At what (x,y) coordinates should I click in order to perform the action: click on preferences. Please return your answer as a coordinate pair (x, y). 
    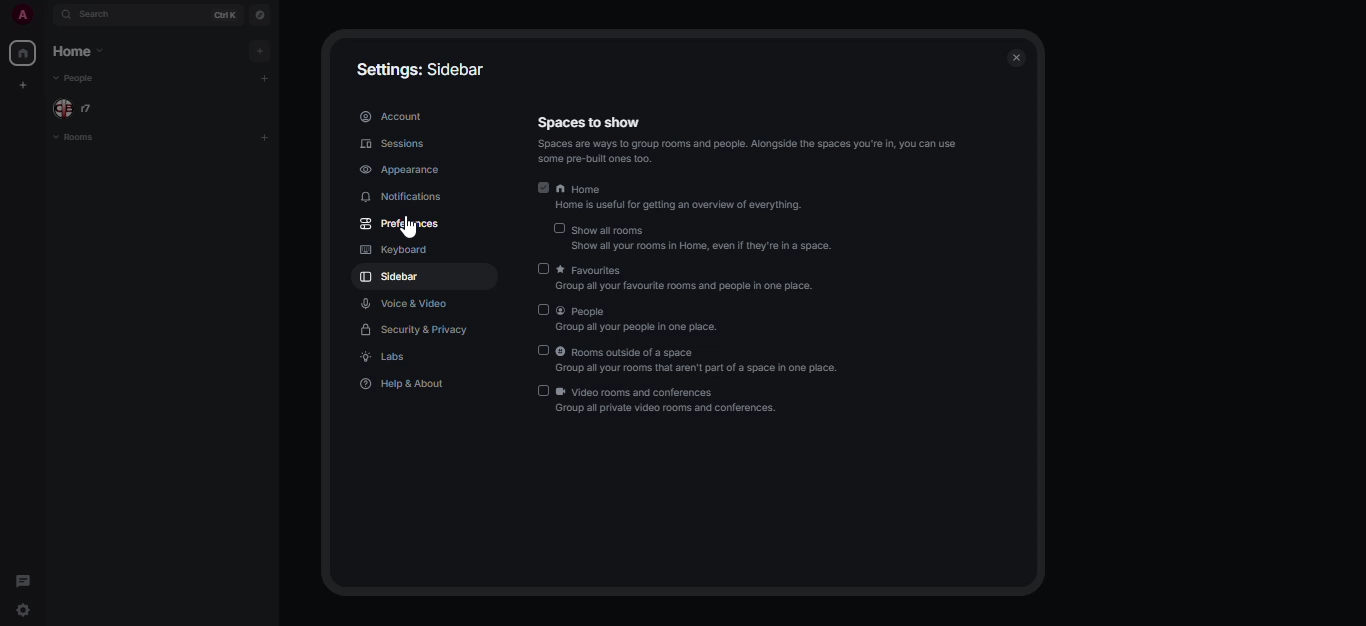
    Looking at the image, I should click on (402, 222).